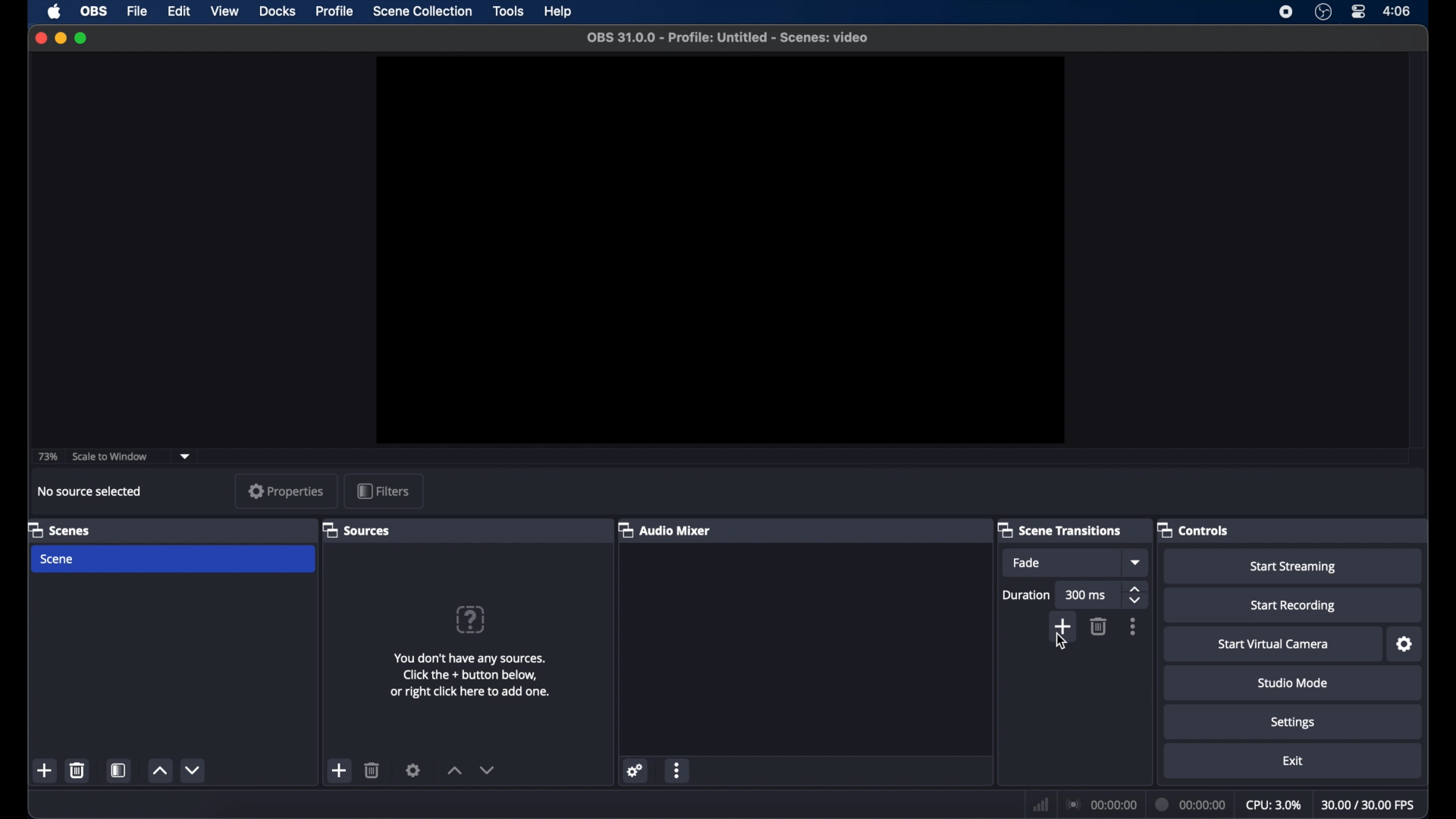  What do you see at coordinates (77, 770) in the screenshot?
I see `delete` at bounding box center [77, 770].